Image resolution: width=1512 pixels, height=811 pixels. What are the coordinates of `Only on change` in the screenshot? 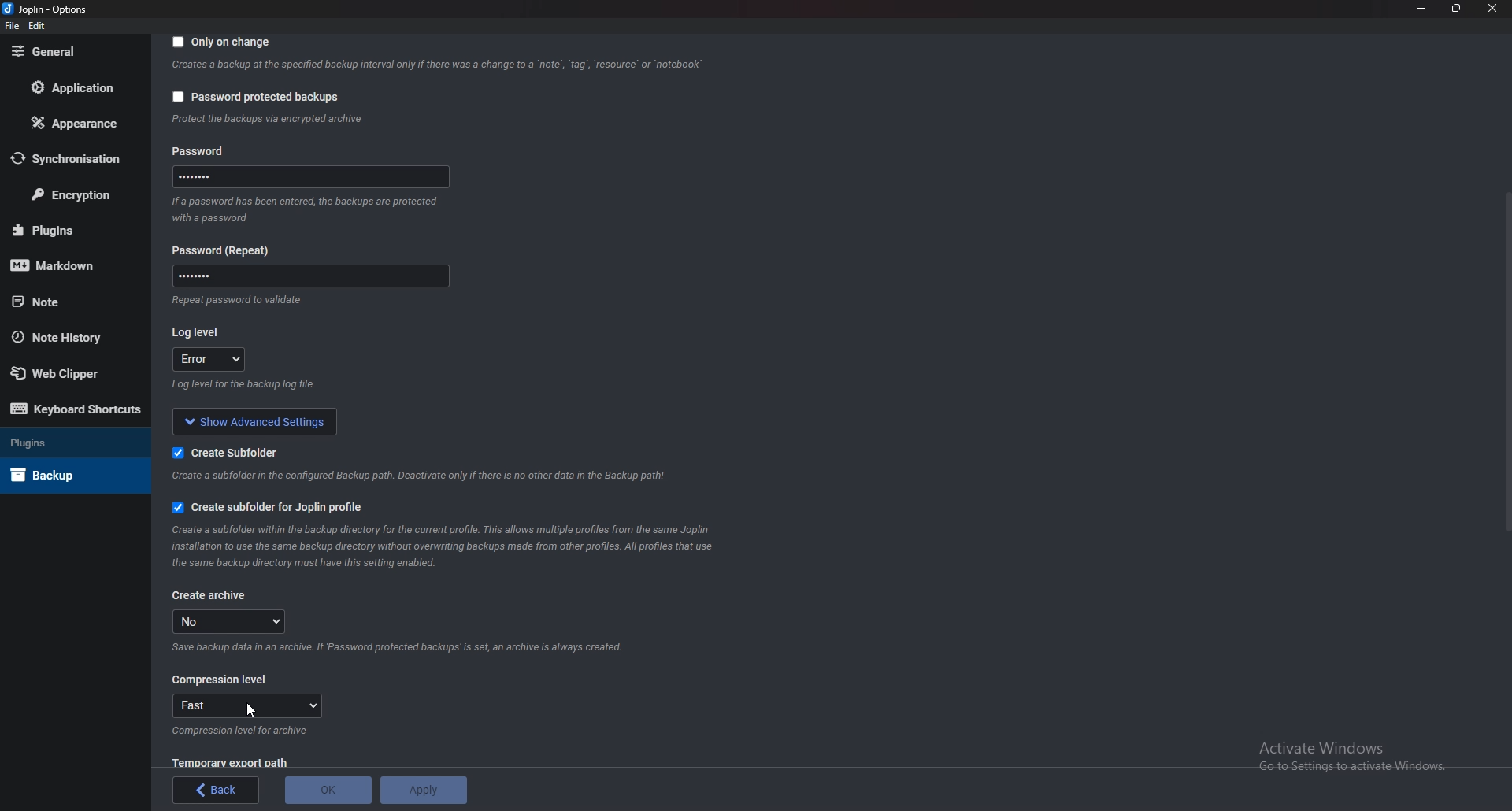 It's located at (224, 43).